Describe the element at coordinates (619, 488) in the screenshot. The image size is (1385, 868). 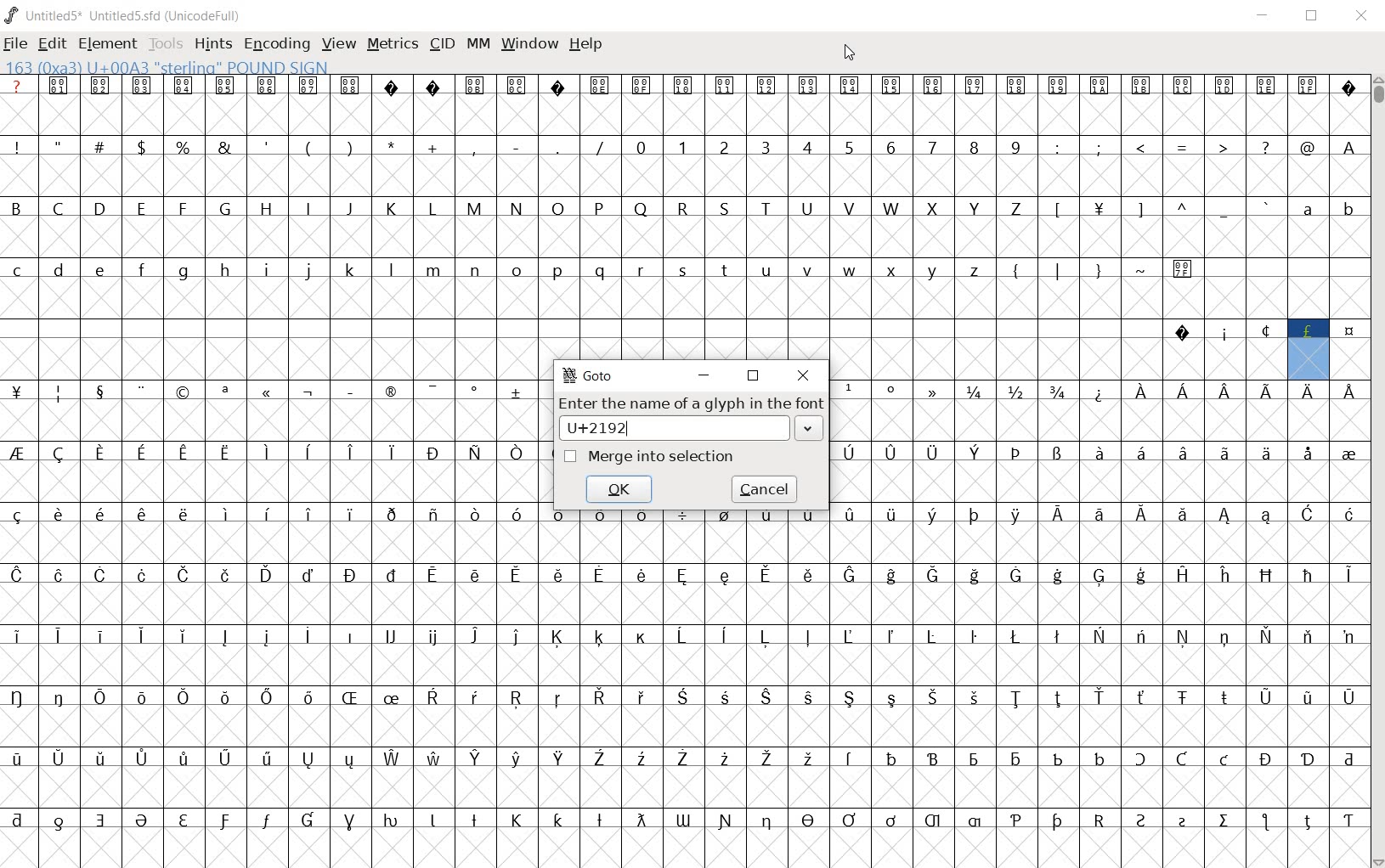
I see `ok` at that location.